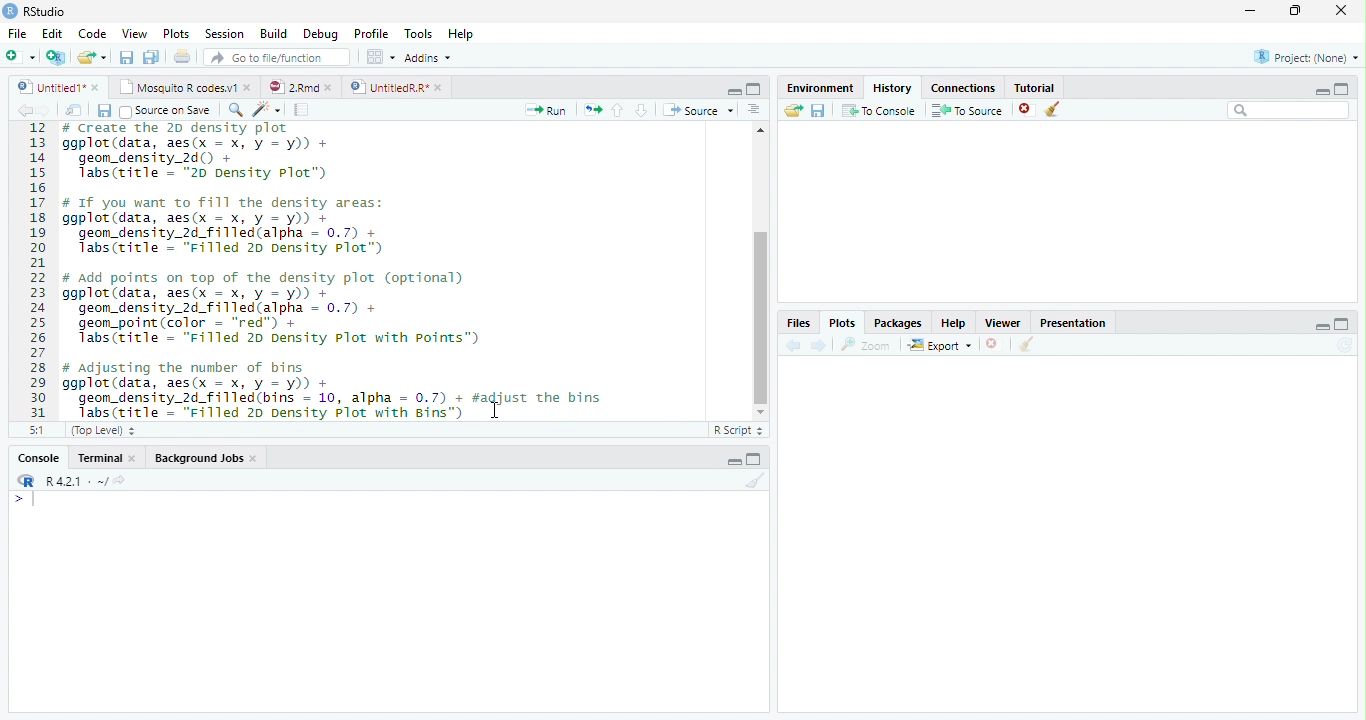  Describe the element at coordinates (136, 458) in the screenshot. I see `close` at that location.